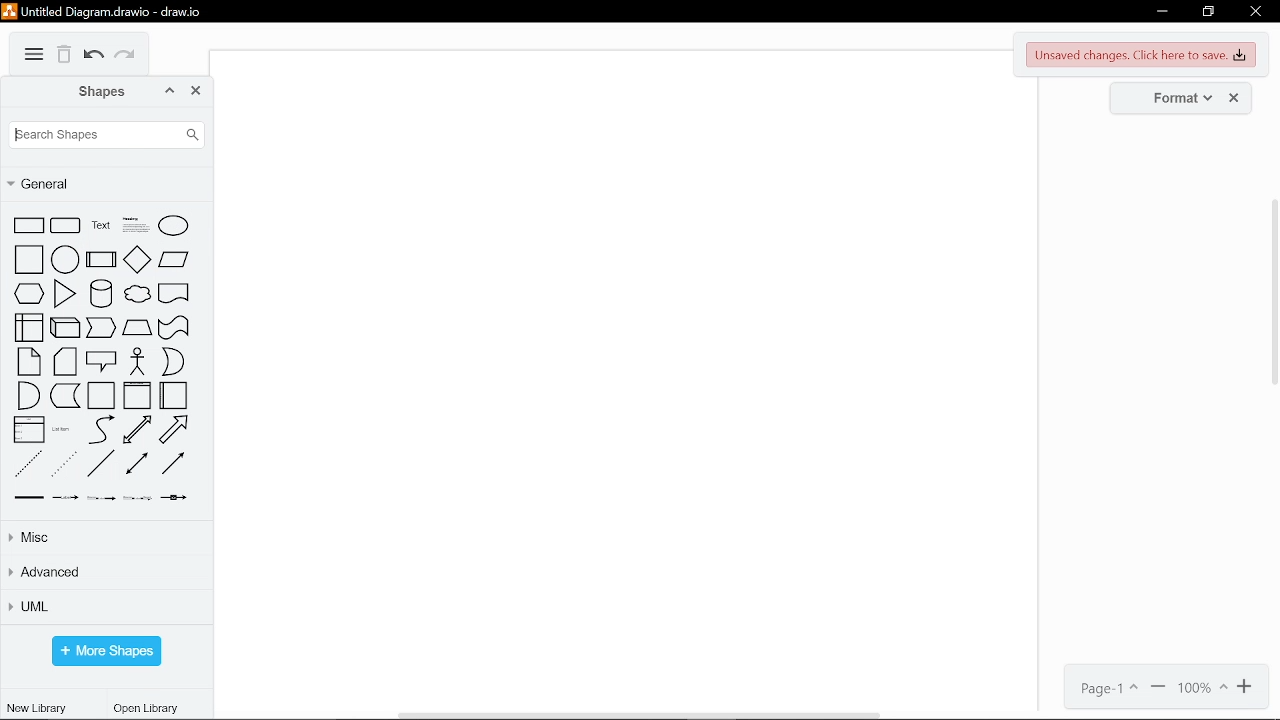 The image size is (1280, 720). Describe the element at coordinates (106, 574) in the screenshot. I see `advanced` at that location.